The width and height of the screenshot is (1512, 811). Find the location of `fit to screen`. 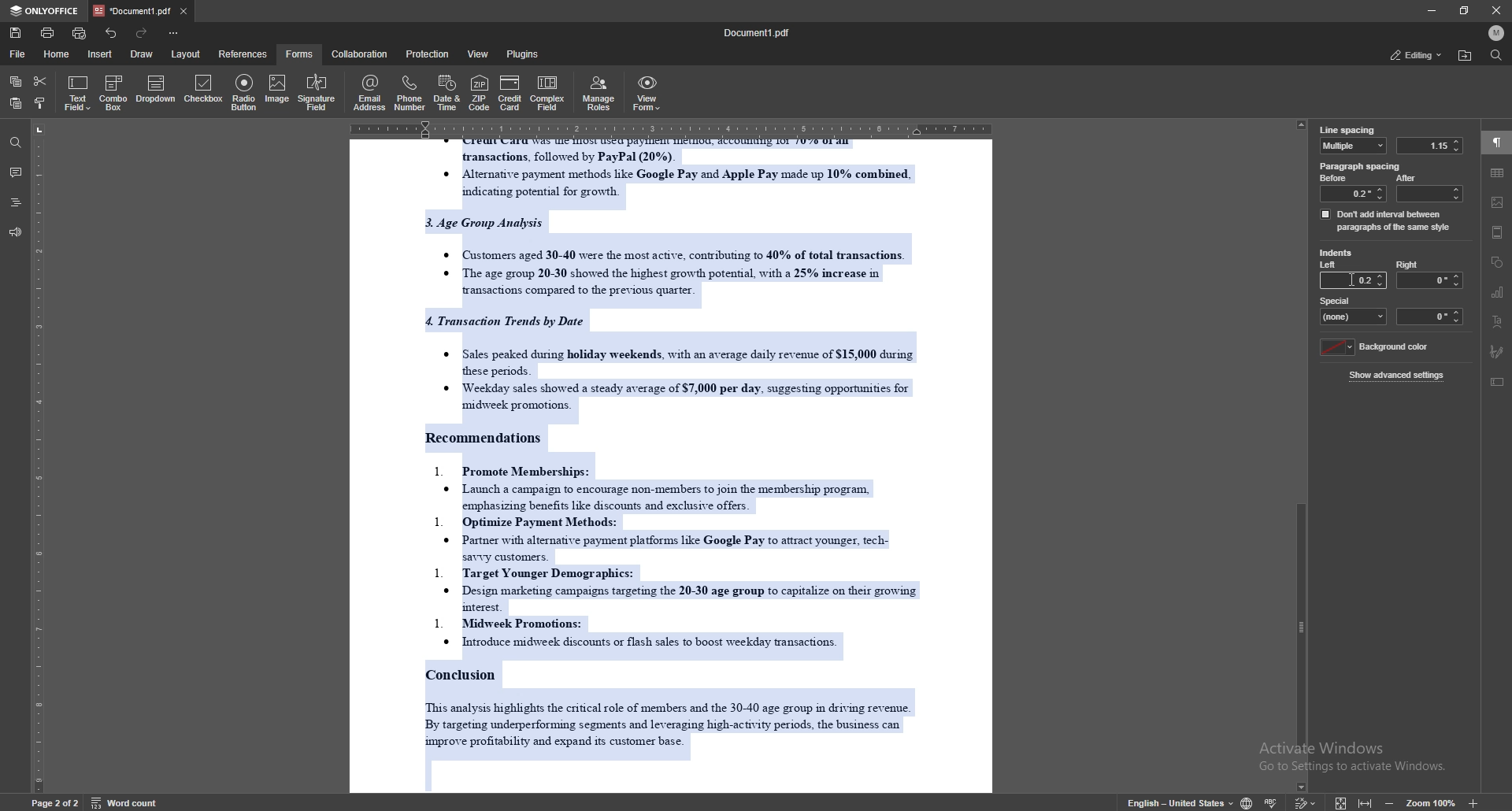

fit to screen is located at coordinates (1341, 802).